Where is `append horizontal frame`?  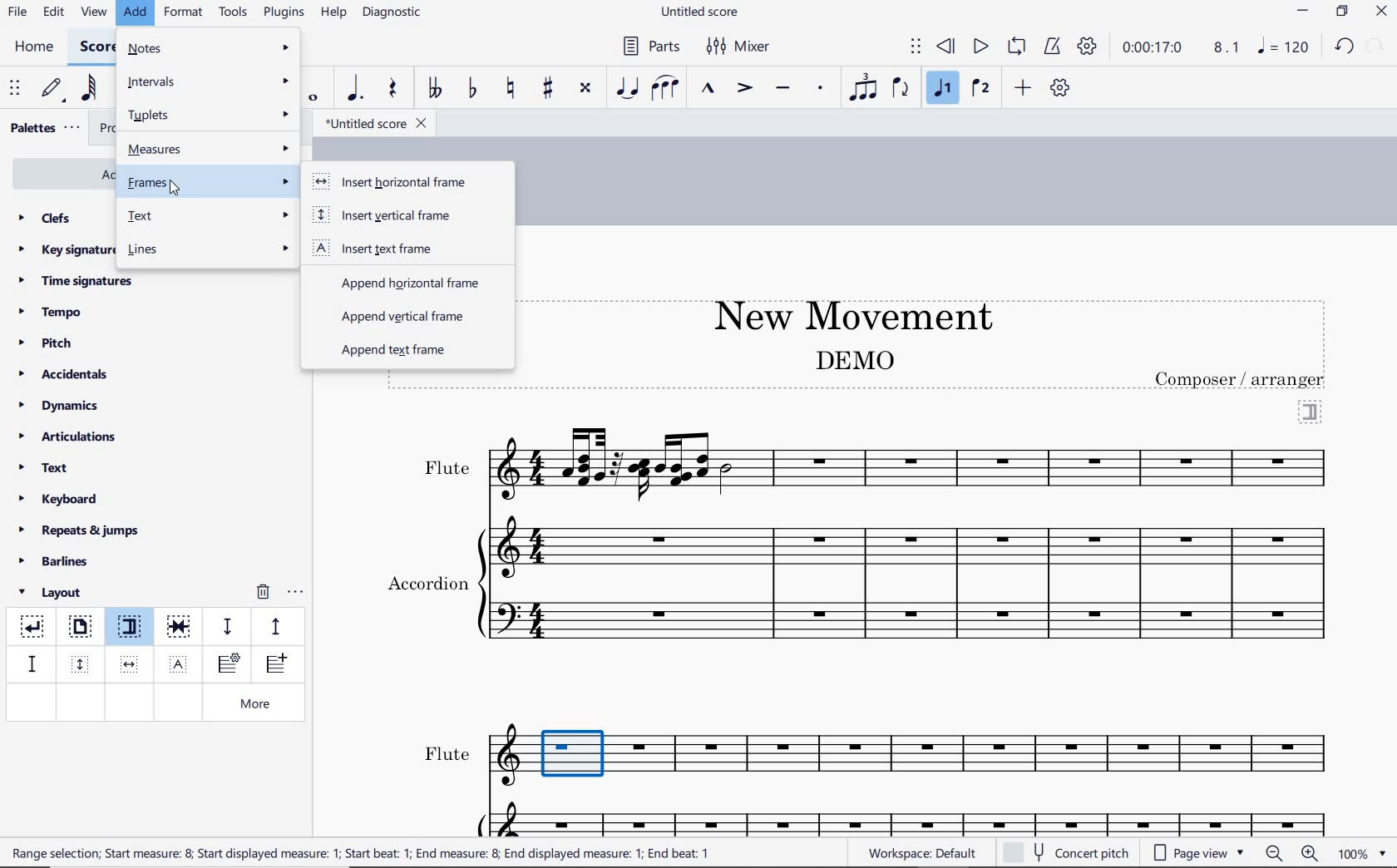 append horizontal frame is located at coordinates (398, 282).